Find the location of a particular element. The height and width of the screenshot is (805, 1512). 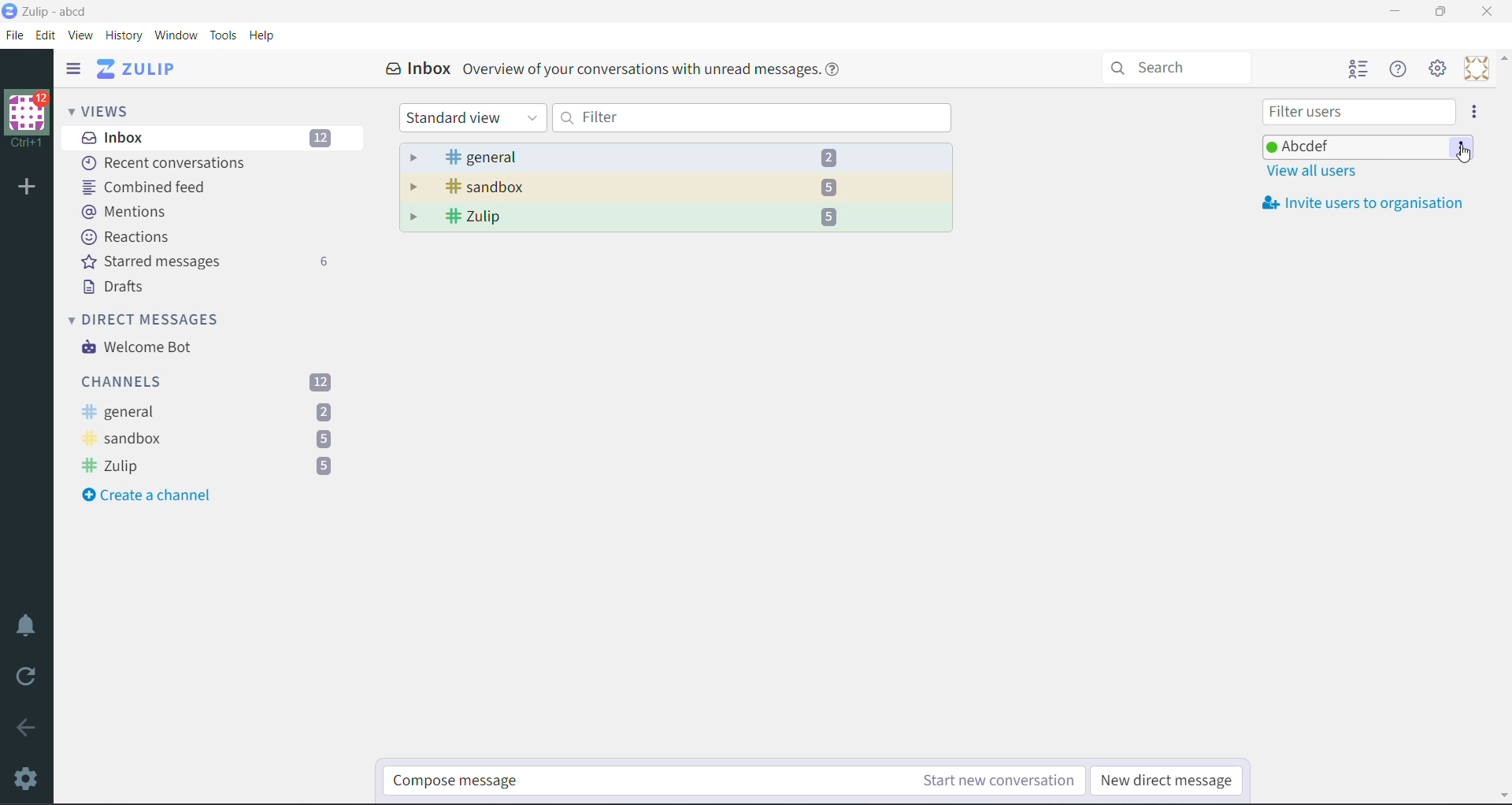

Help Menu is located at coordinates (1400, 69).